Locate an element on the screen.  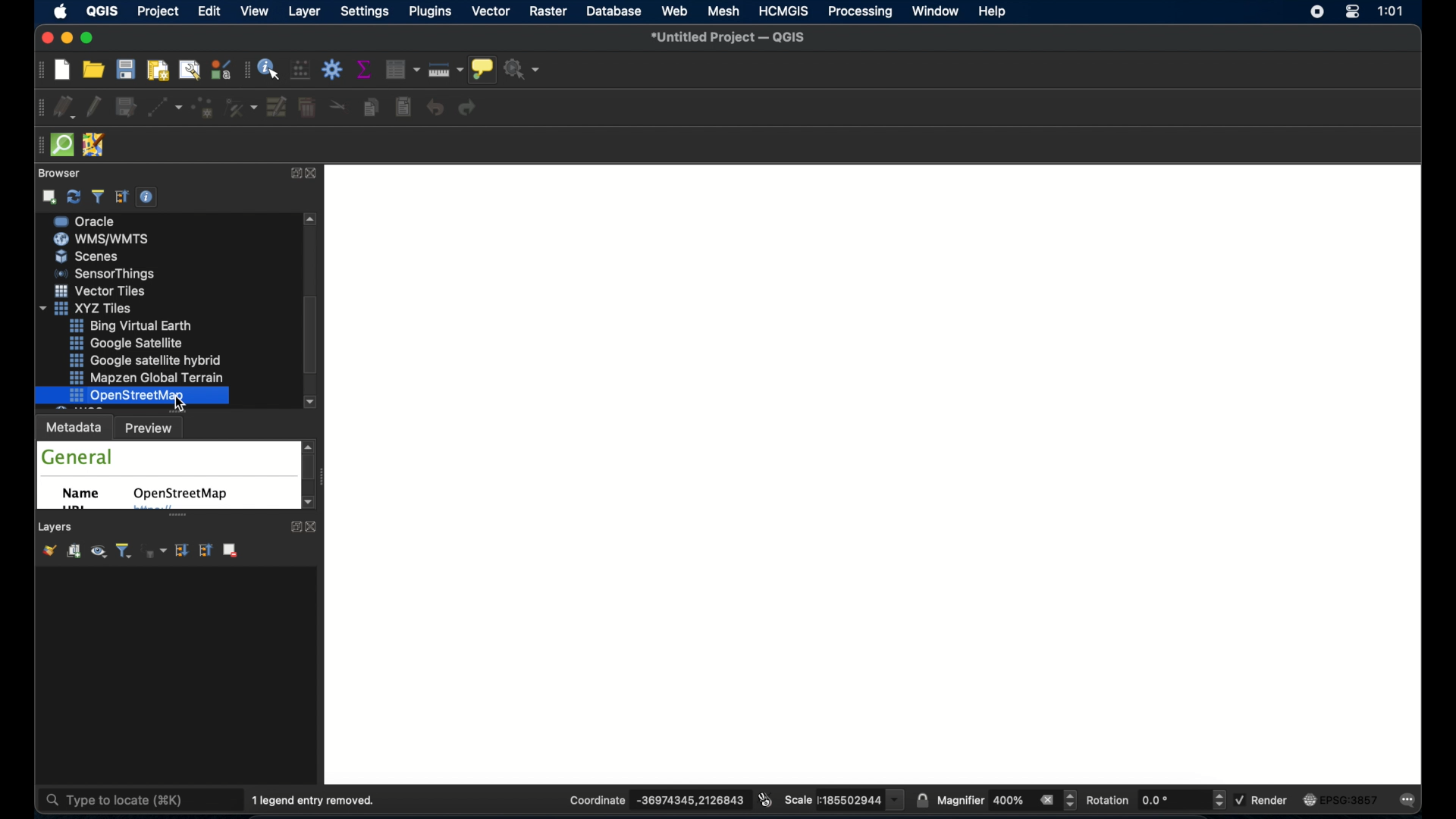
project toolbar is located at coordinates (38, 73).